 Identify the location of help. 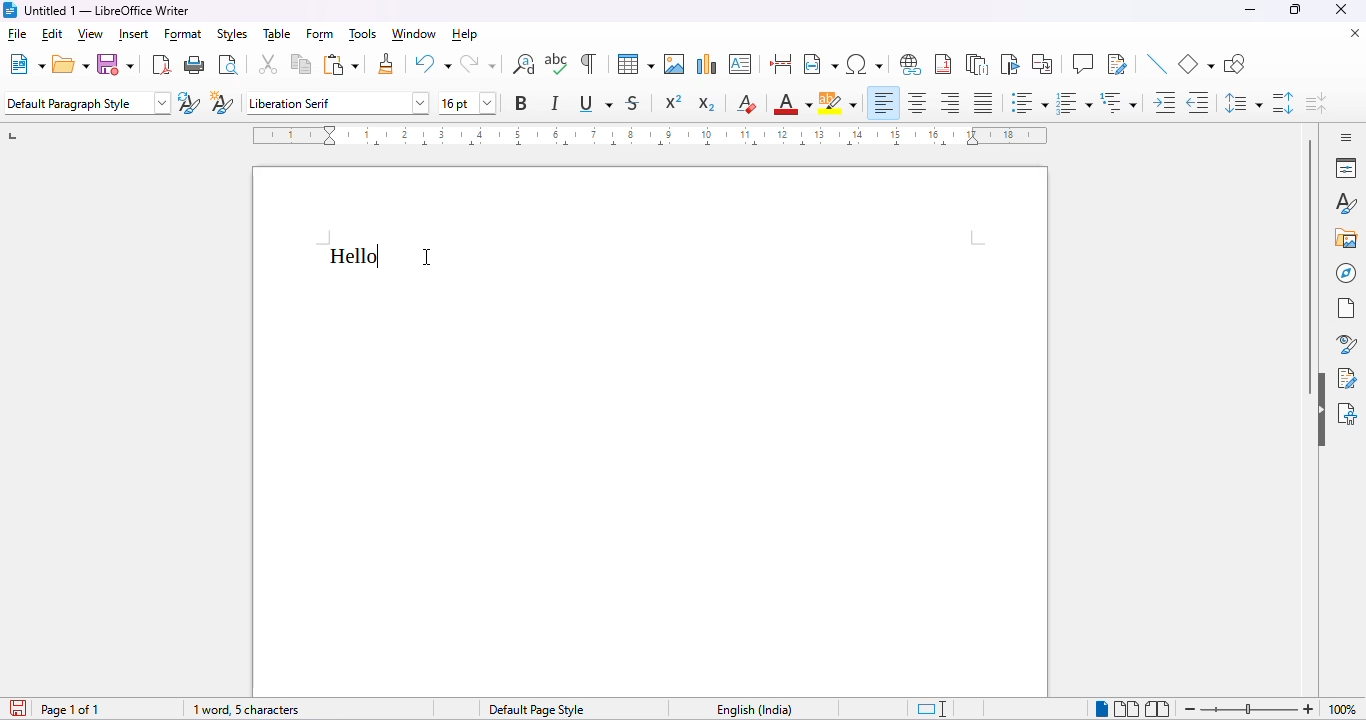
(464, 35).